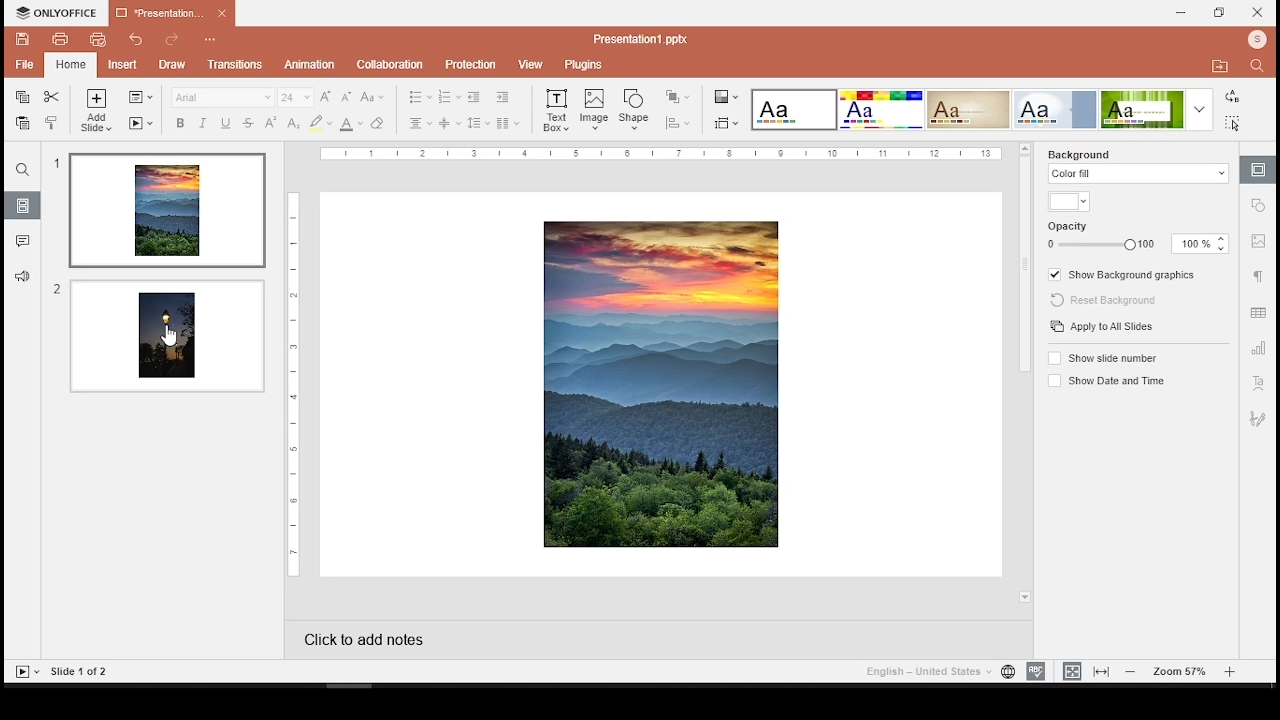 The height and width of the screenshot is (720, 1280). What do you see at coordinates (1102, 672) in the screenshot?
I see `fit to width` at bounding box center [1102, 672].